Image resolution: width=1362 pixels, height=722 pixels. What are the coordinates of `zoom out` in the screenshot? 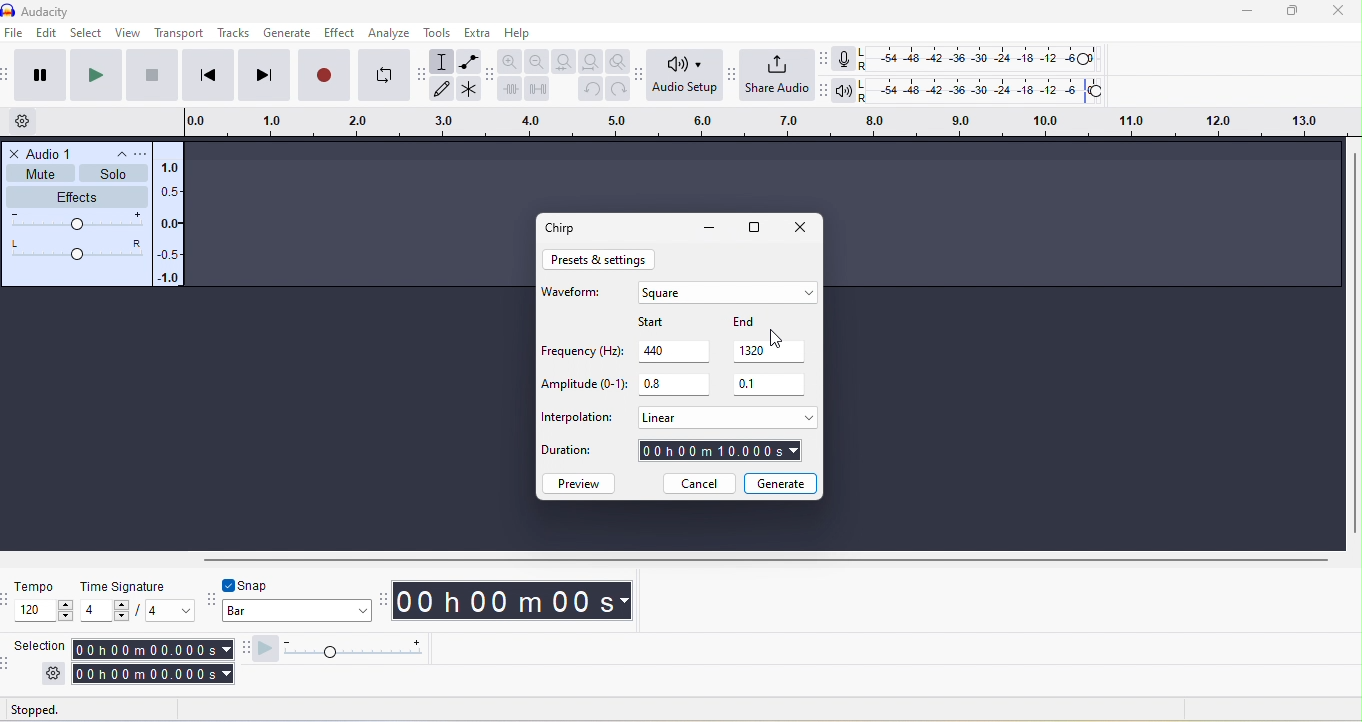 It's located at (536, 61).